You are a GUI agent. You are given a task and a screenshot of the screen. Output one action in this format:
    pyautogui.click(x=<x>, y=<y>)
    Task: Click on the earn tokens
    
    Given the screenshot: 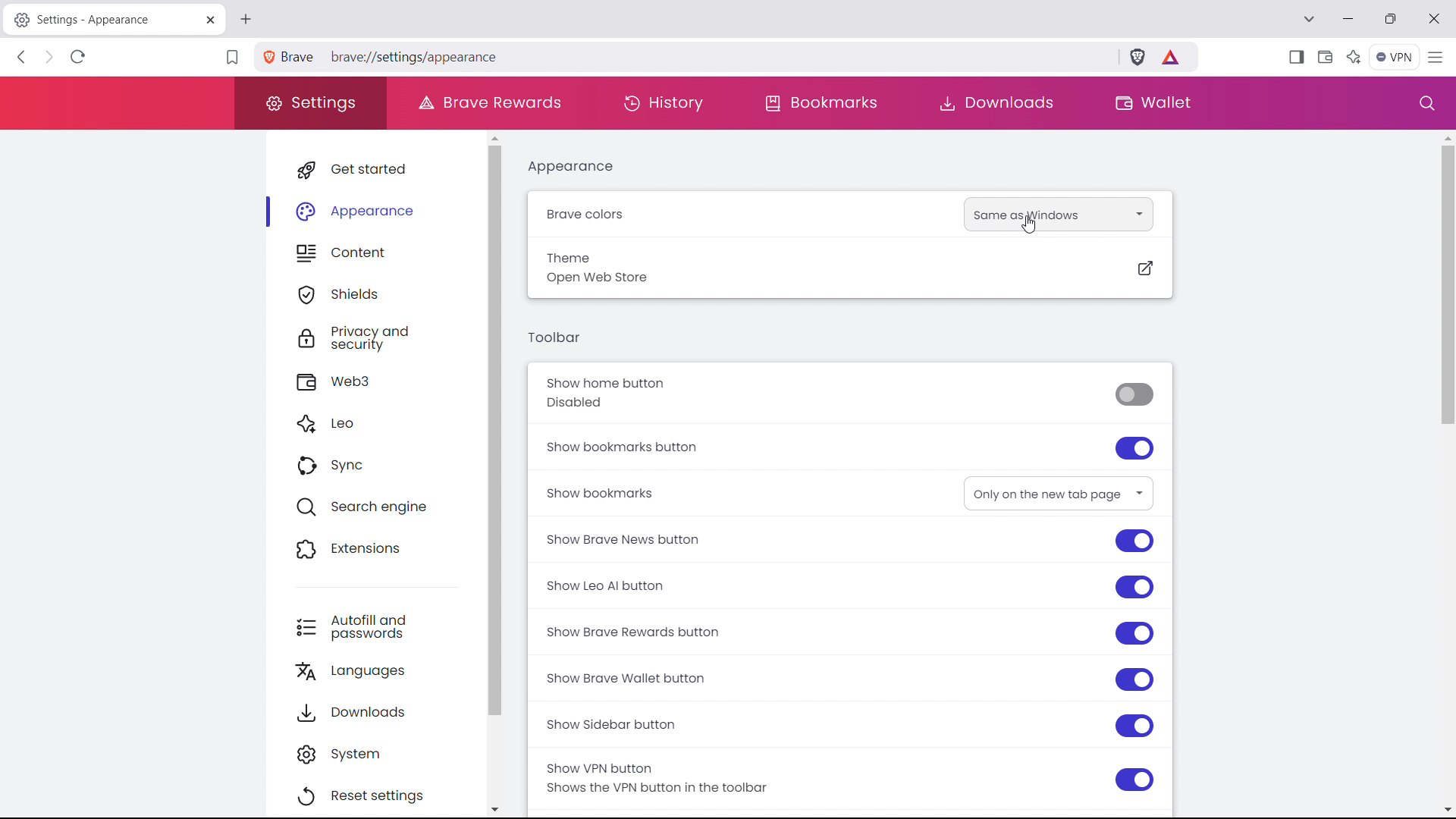 What is the action you would take?
    pyautogui.click(x=1172, y=58)
    